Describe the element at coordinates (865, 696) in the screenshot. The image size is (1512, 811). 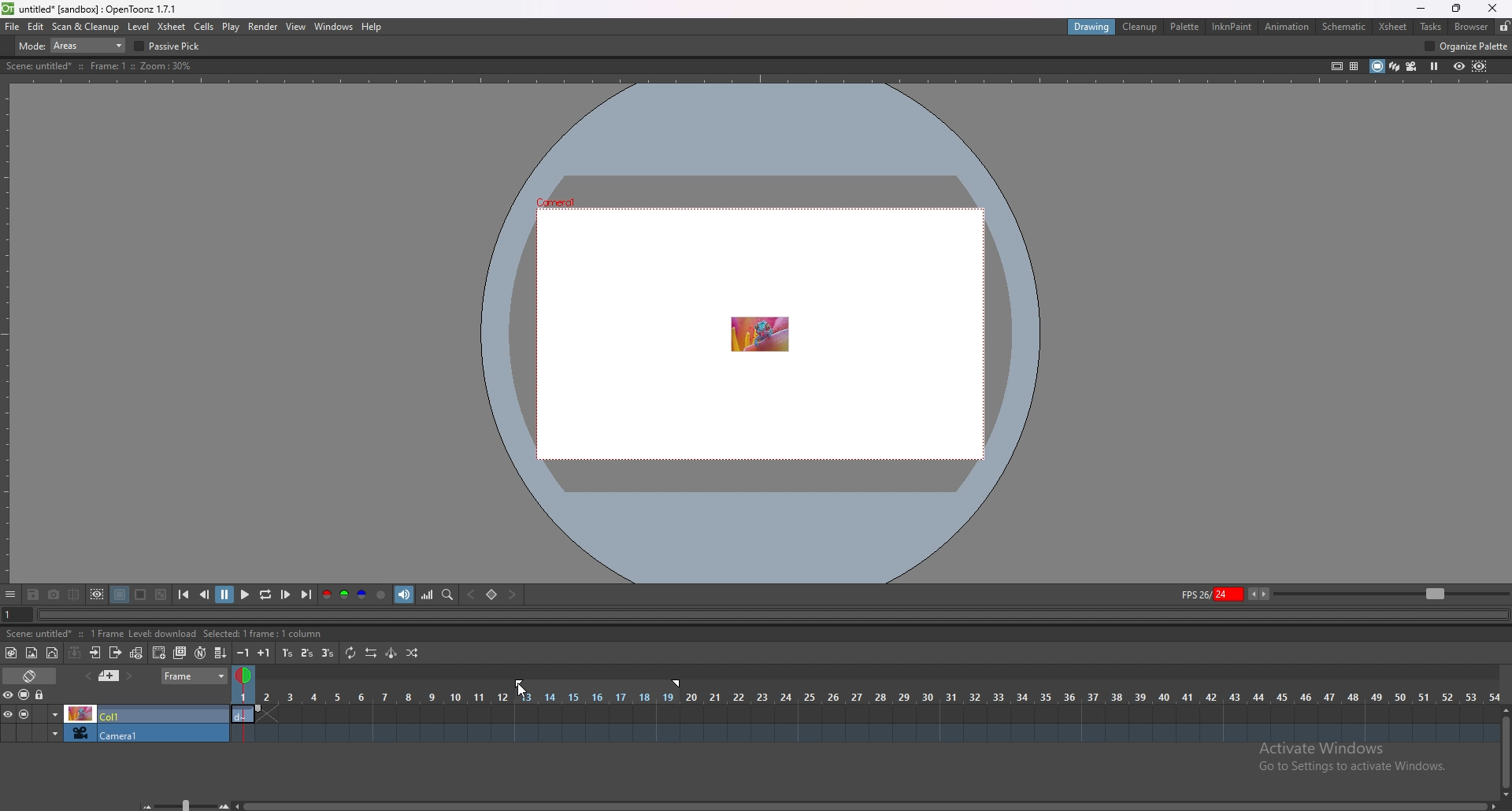
I see `time` at that location.